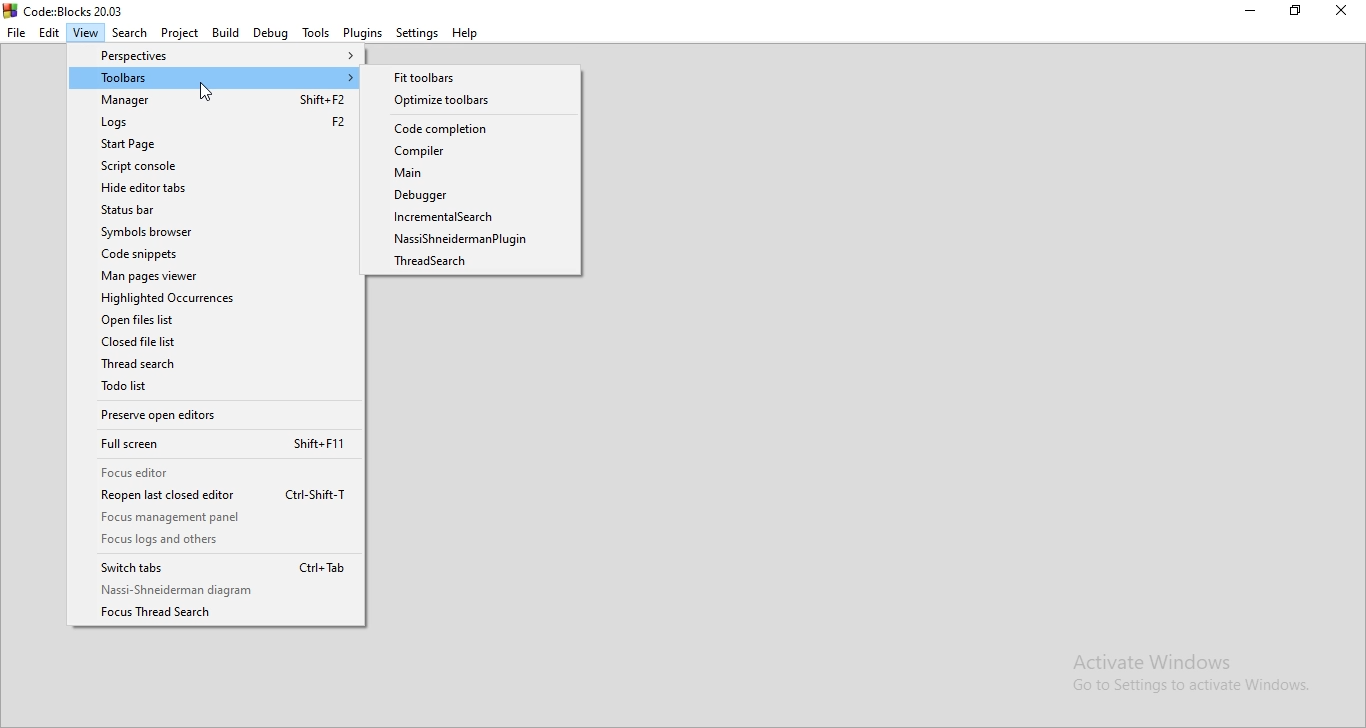 Image resolution: width=1366 pixels, height=728 pixels. Describe the element at coordinates (1341, 15) in the screenshot. I see `Close` at that location.